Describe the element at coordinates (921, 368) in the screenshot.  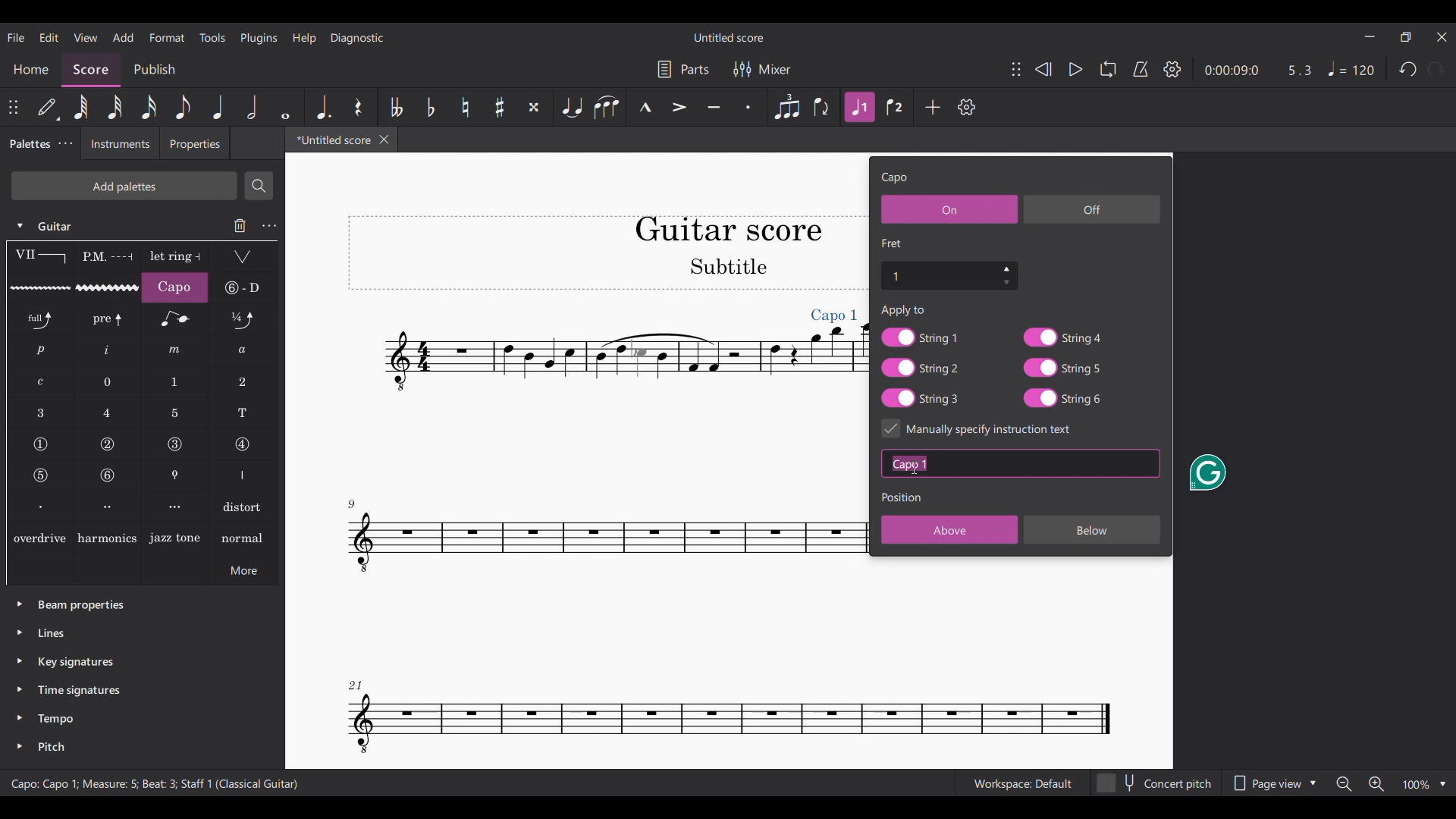
I see `String 2 toggle` at that location.